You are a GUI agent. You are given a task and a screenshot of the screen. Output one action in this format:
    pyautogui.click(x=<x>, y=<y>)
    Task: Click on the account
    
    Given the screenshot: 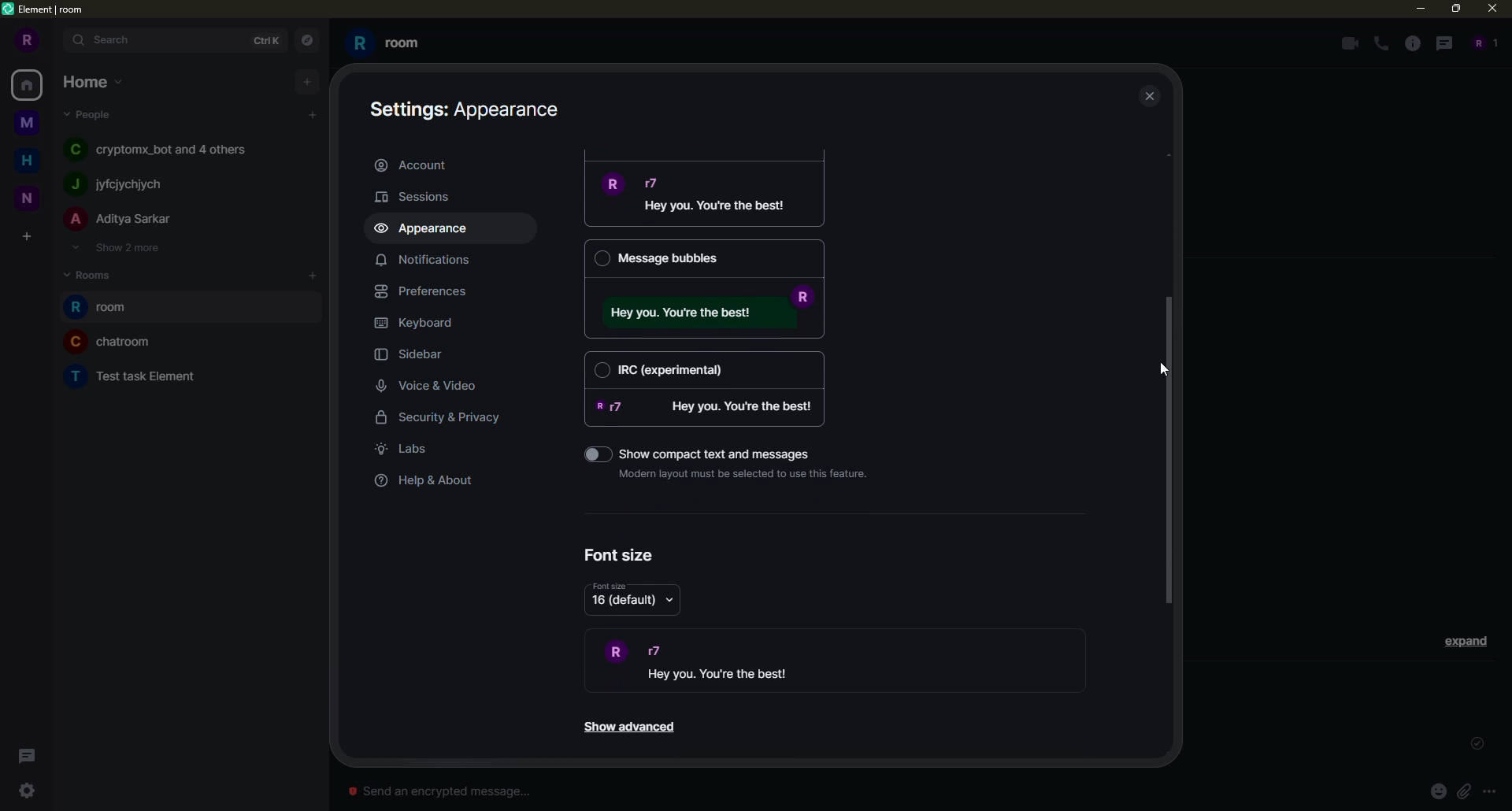 What is the action you would take?
    pyautogui.click(x=416, y=164)
    